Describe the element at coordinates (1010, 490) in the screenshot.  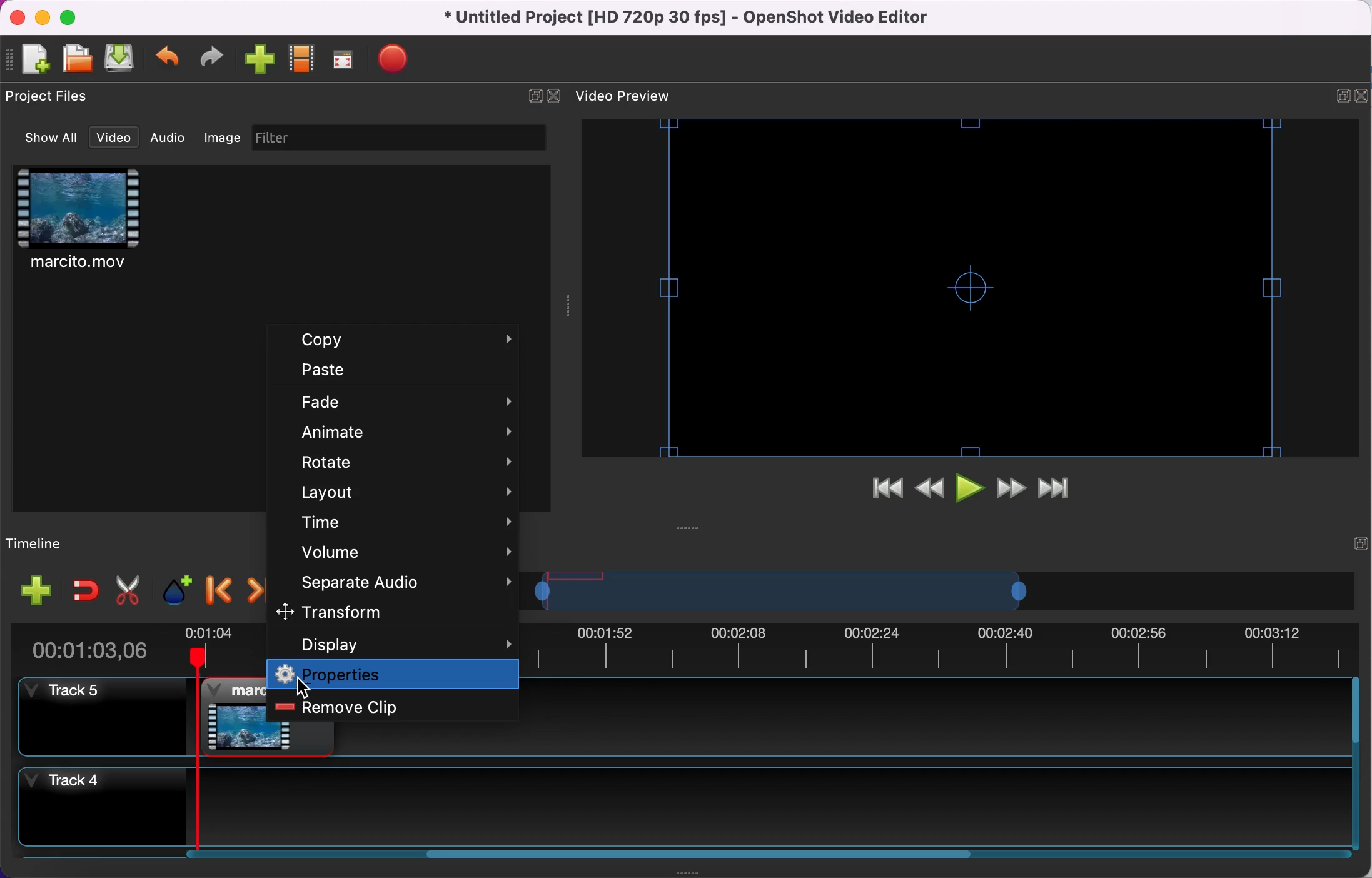
I see `fast forward` at that location.